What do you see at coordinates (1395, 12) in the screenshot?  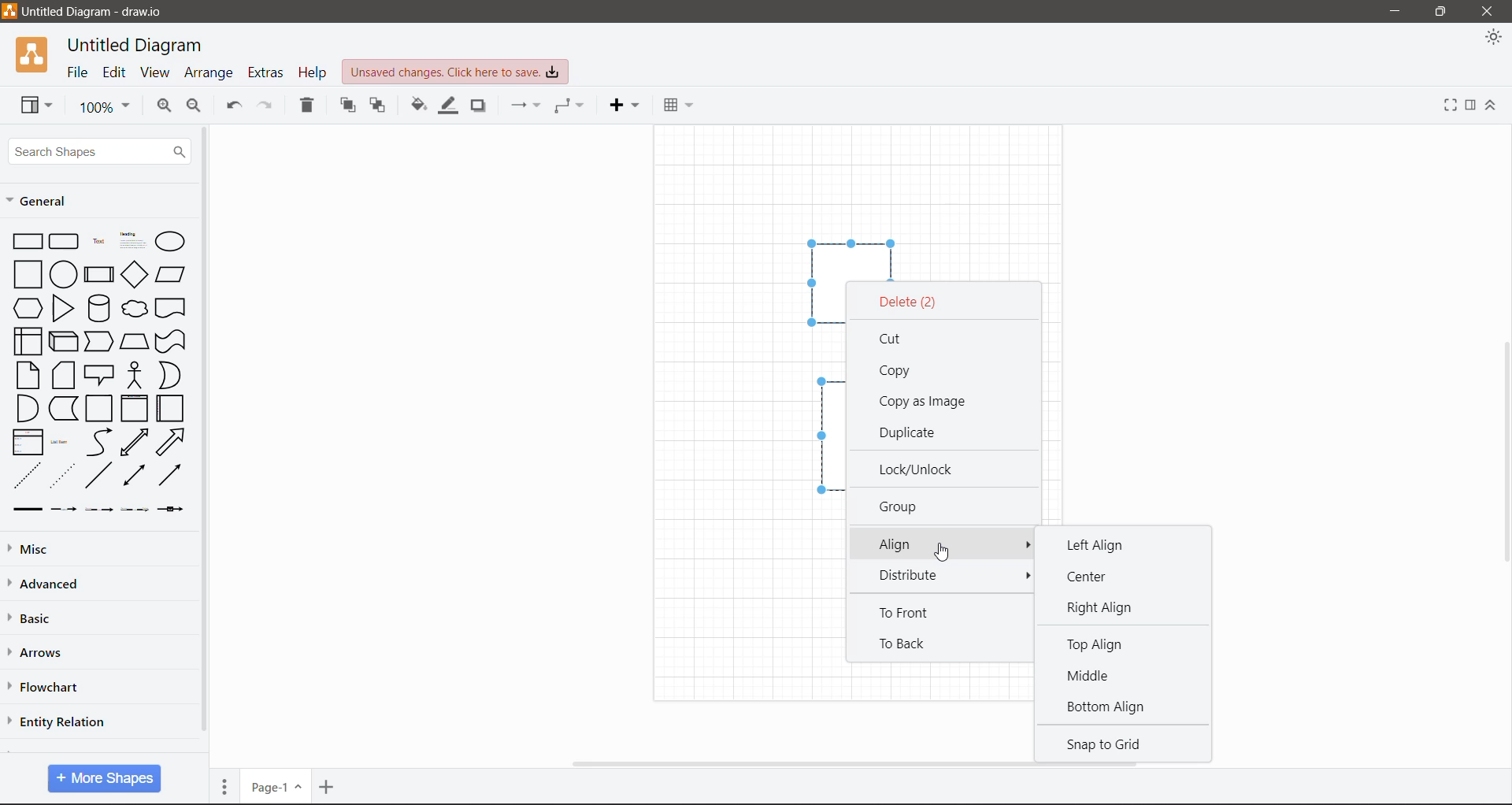 I see `Minimize` at bounding box center [1395, 12].